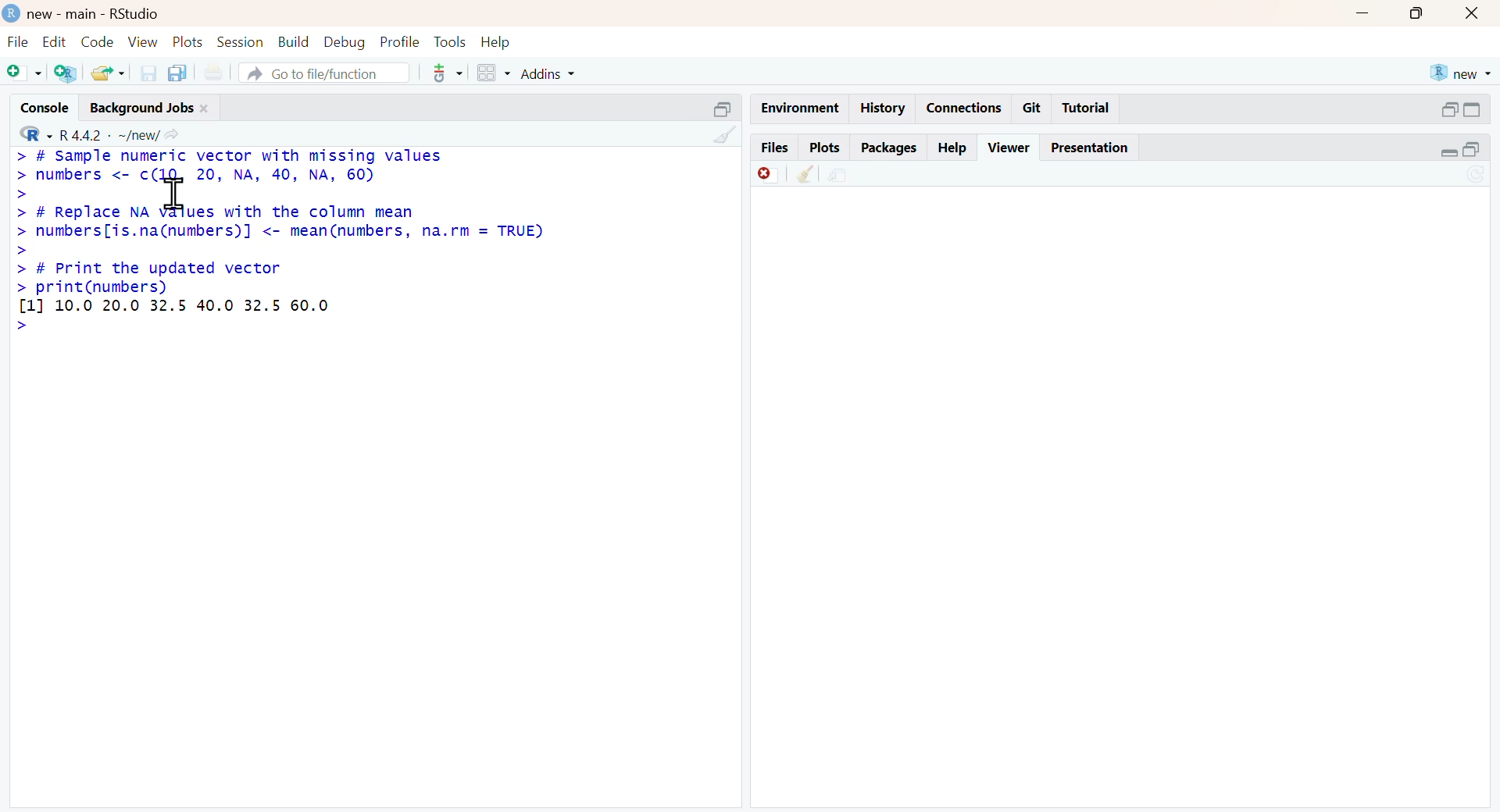  Describe the element at coordinates (495, 72) in the screenshot. I see `grid` at that location.